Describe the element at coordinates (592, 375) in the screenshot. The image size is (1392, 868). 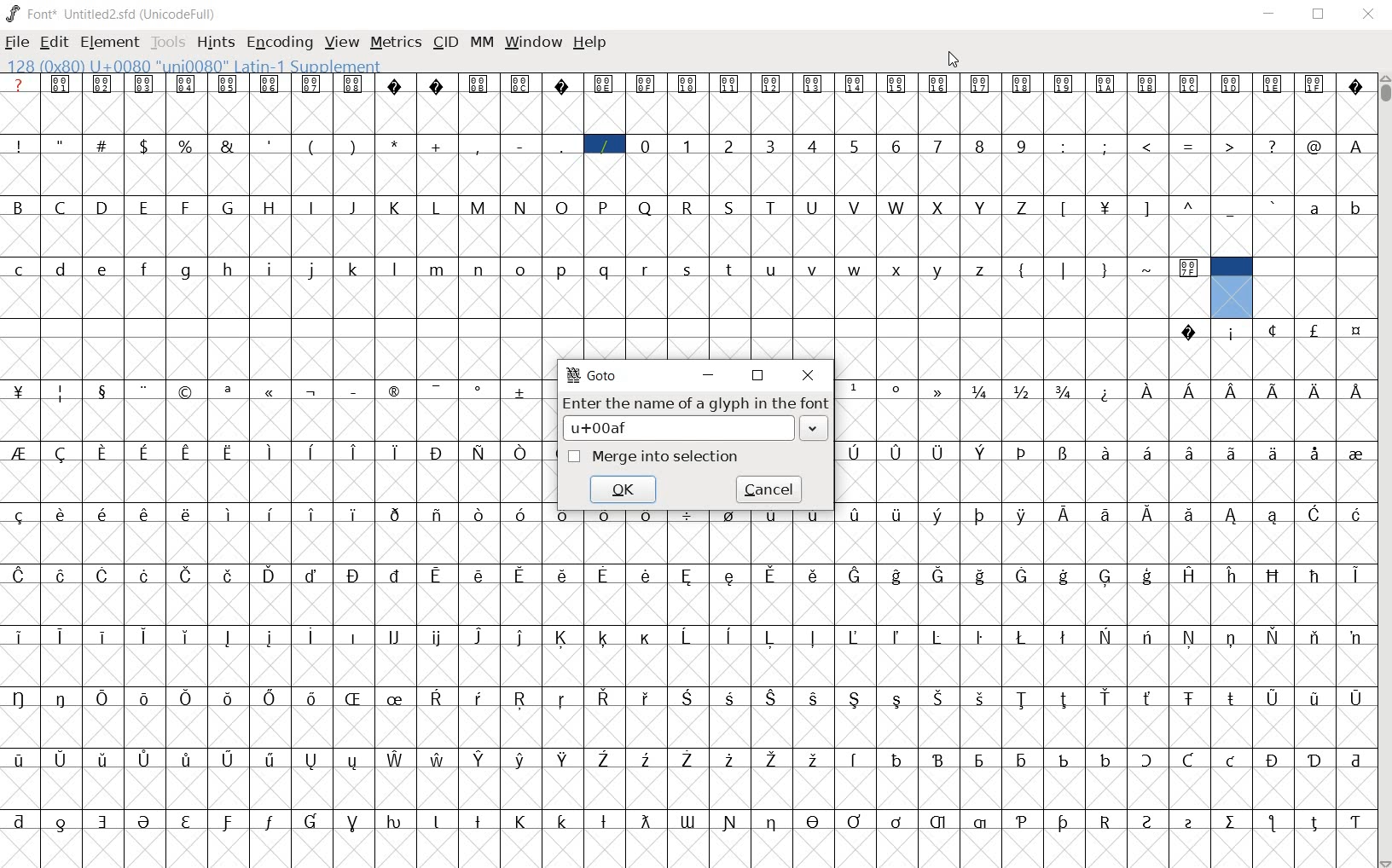
I see `GoTo` at that location.